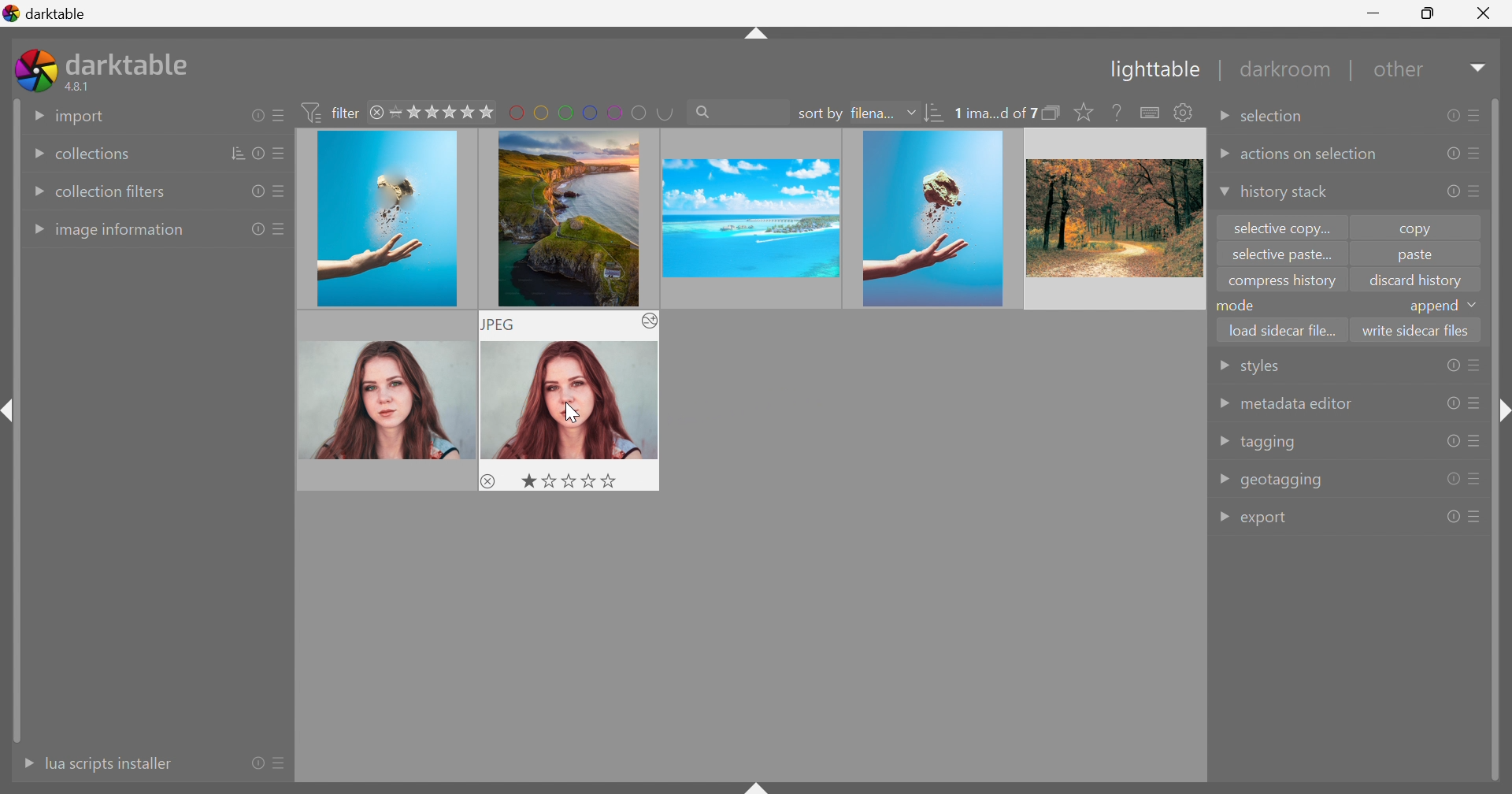  Describe the element at coordinates (1258, 369) in the screenshot. I see `styles` at that location.